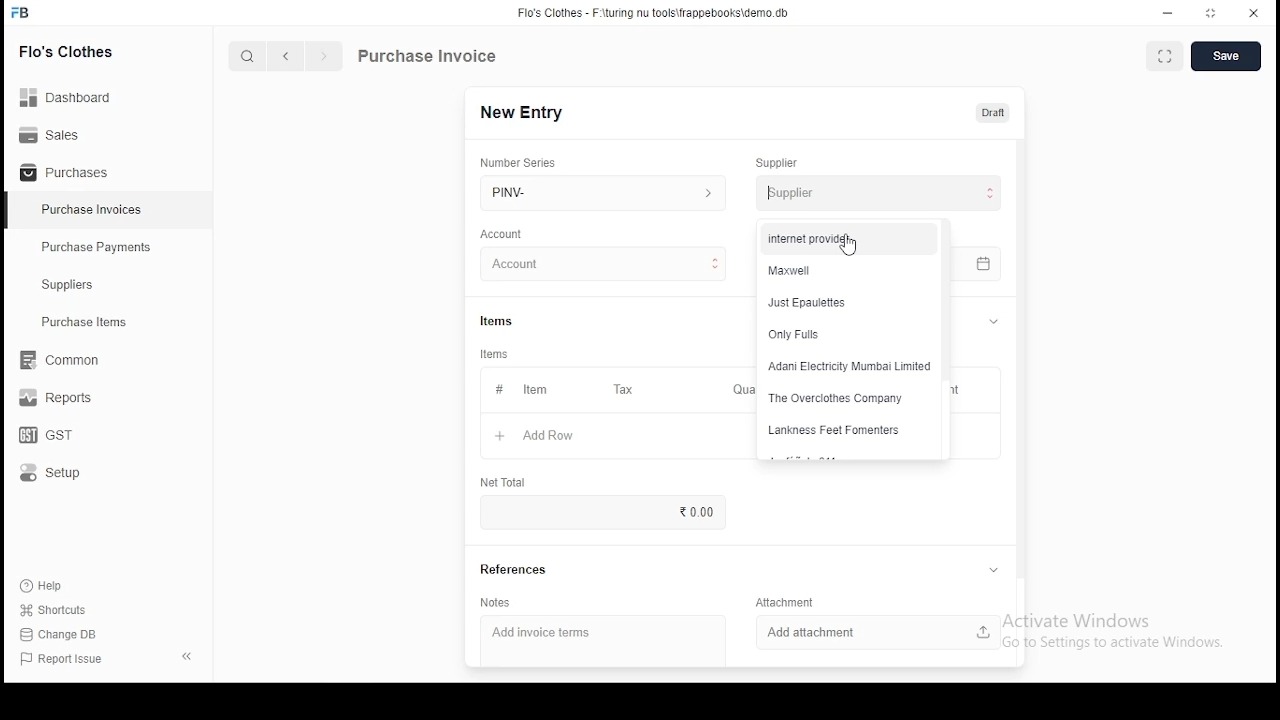 This screenshot has height=720, width=1280. Describe the element at coordinates (879, 631) in the screenshot. I see `add attachment` at that location.